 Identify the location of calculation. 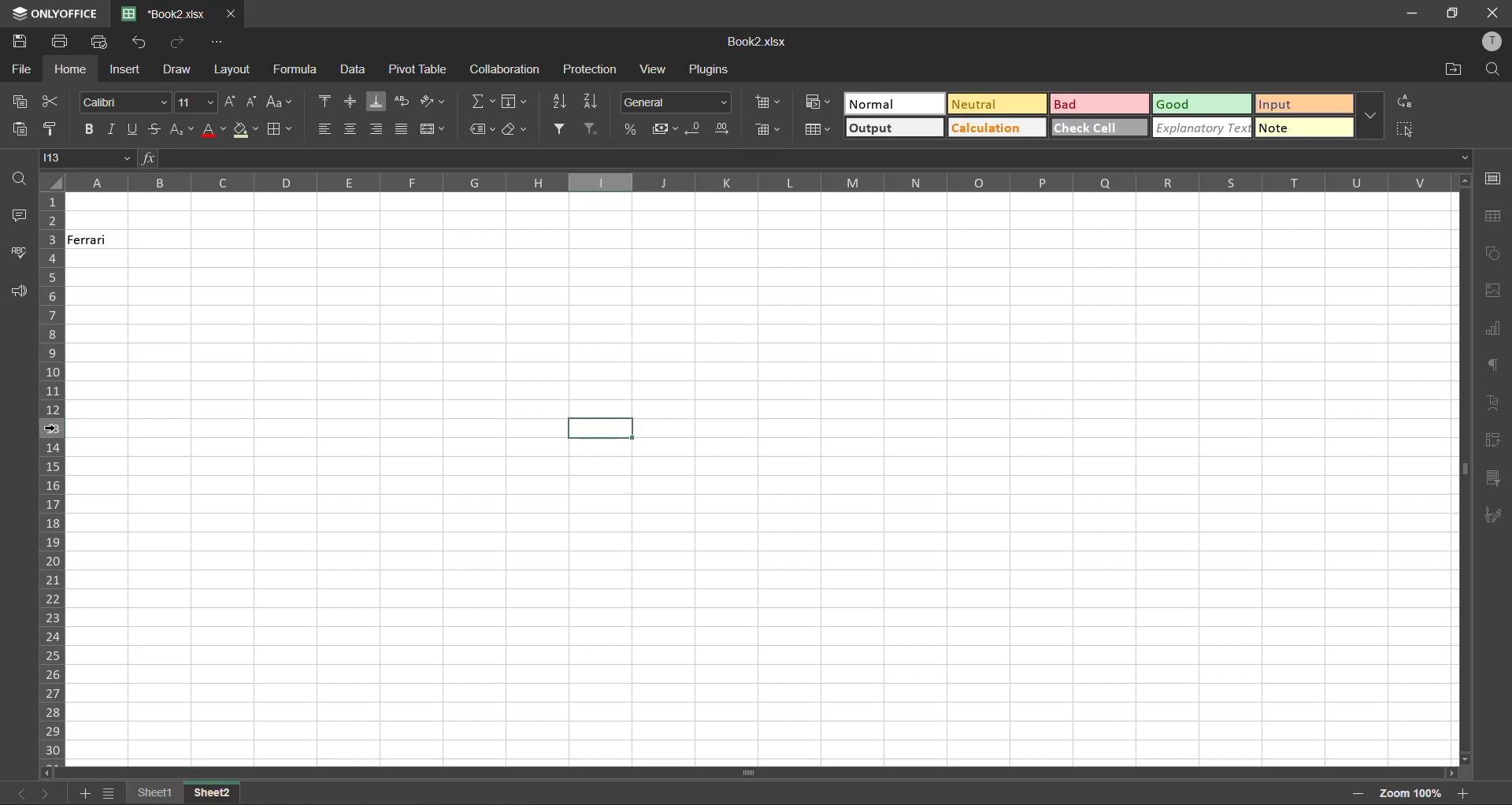
(997, 128).